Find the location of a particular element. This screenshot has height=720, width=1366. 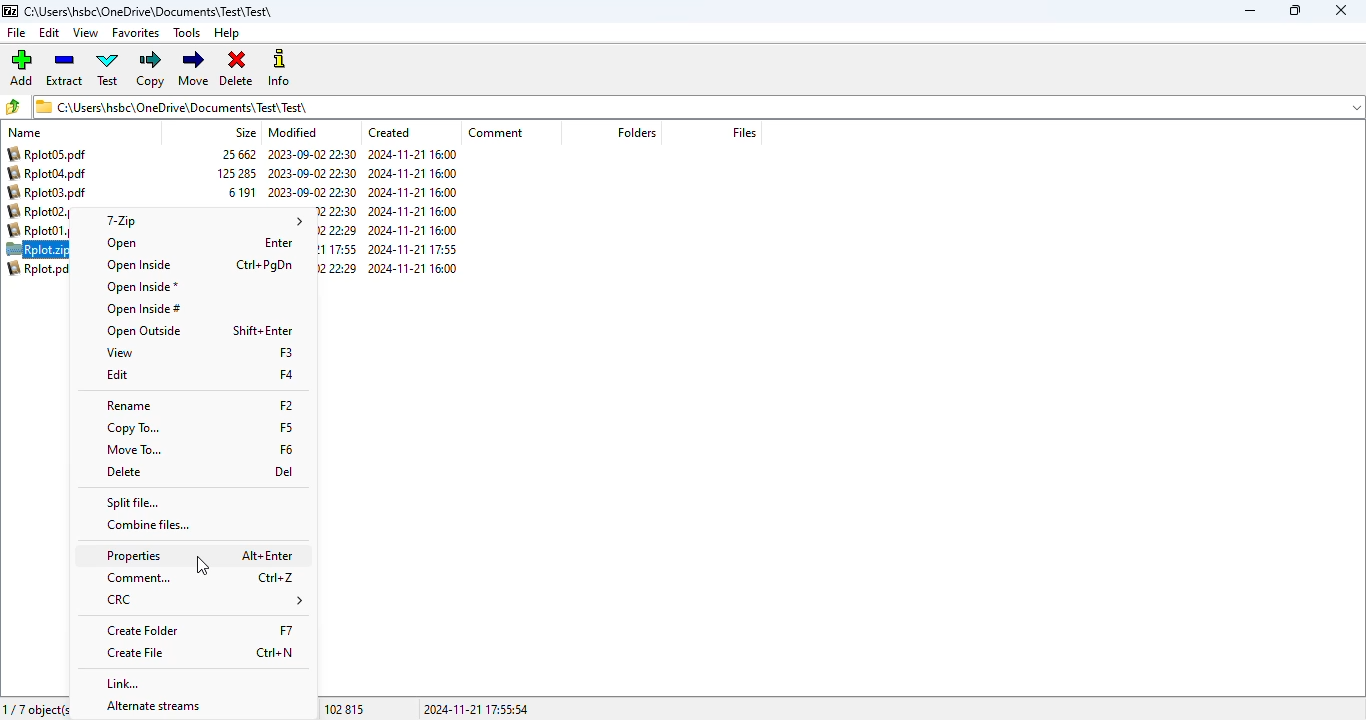

maximize is located at coordinates (1294, 10).